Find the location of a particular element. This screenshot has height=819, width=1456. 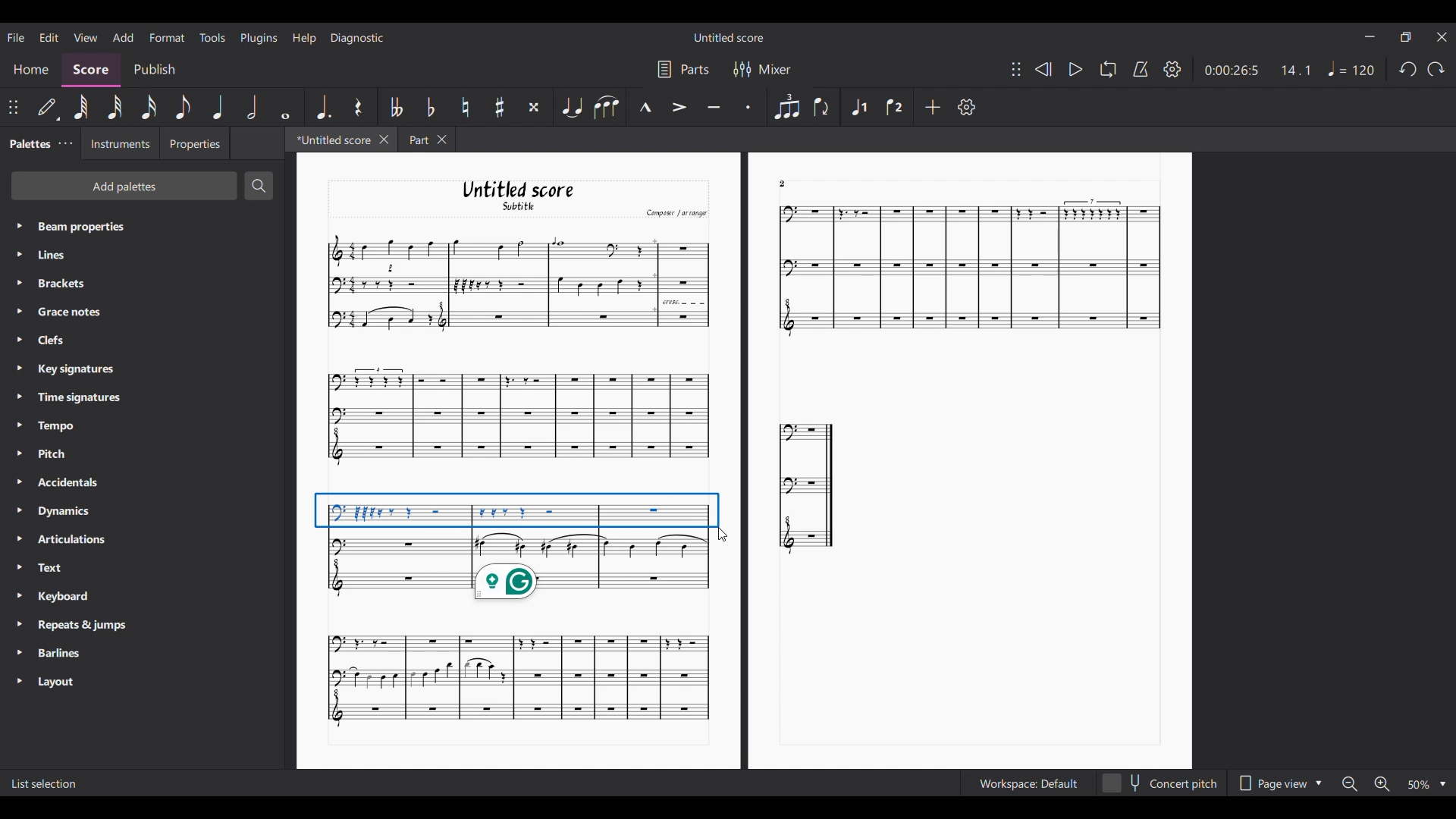

Publish  is located at coordinates (155, 71).